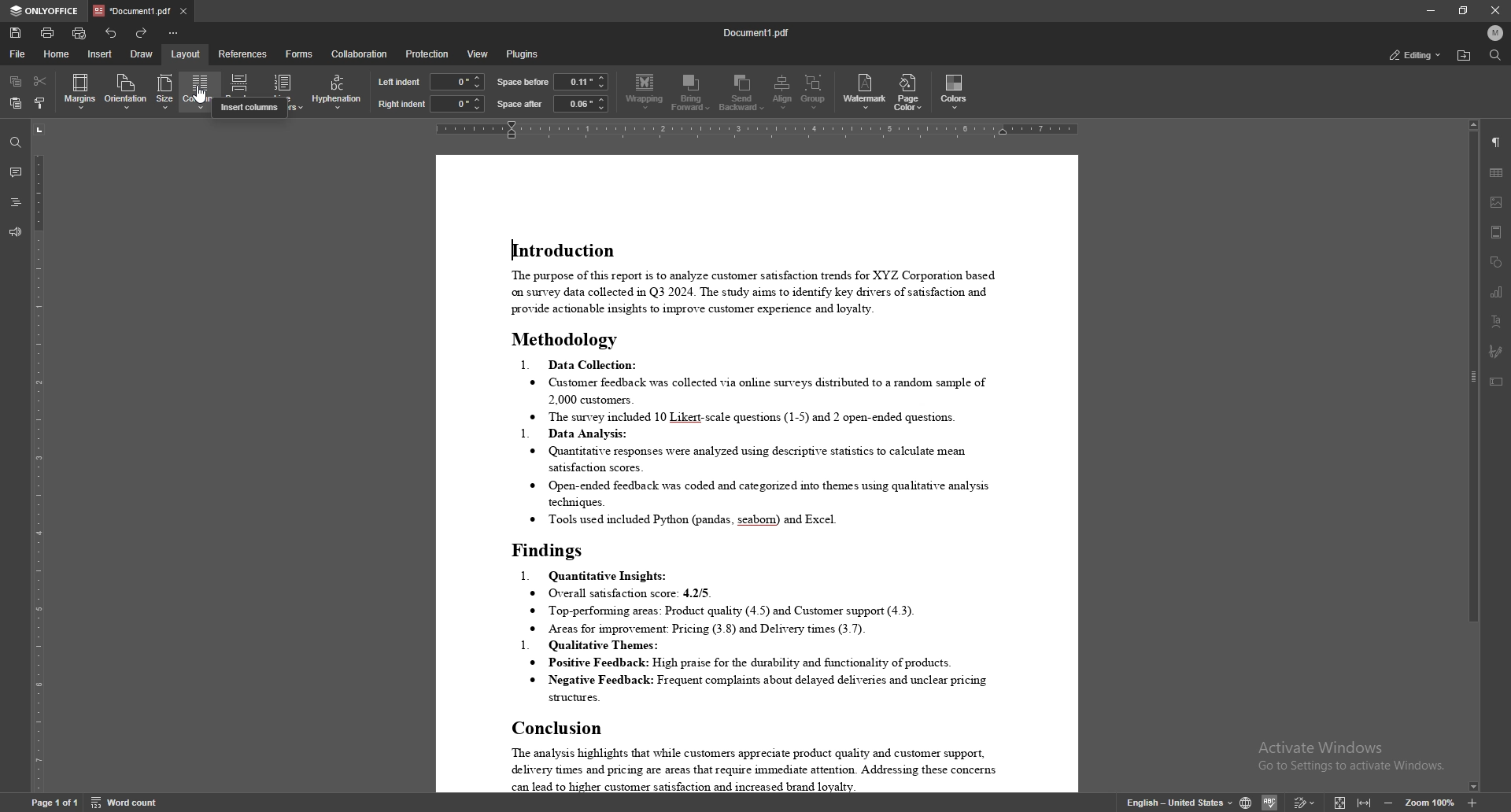 The height and width of the screenshot is (812, 1511). Describe the element at coordinates (782, 92) in the screenshot. I see `align` at that location.